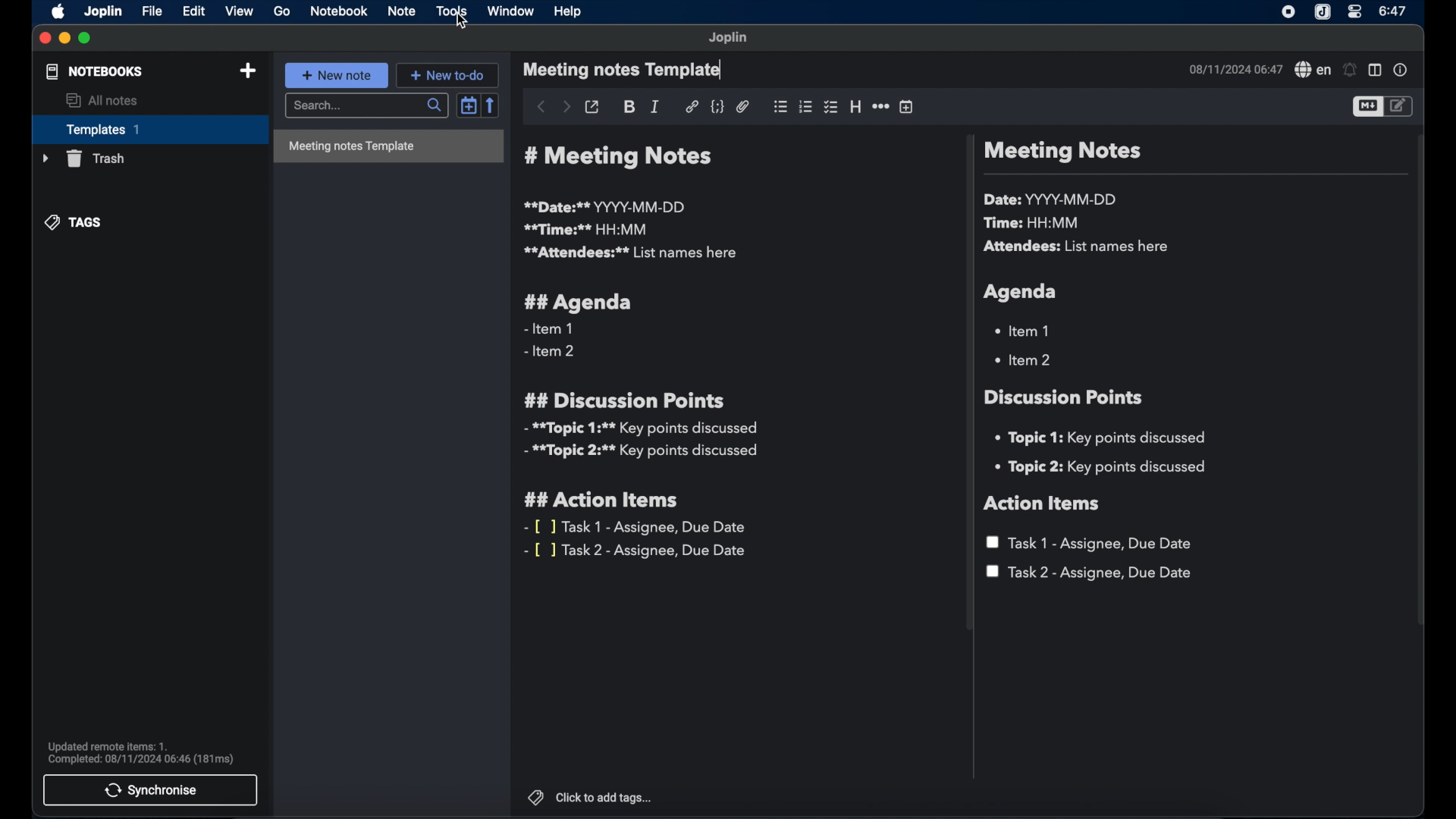 The width and height of the screenshot is (1456, 819). Describe the element at coordinates (638, 551) in the screenshot. I see `- [ ] task 2 - assignee, due date` at that location.